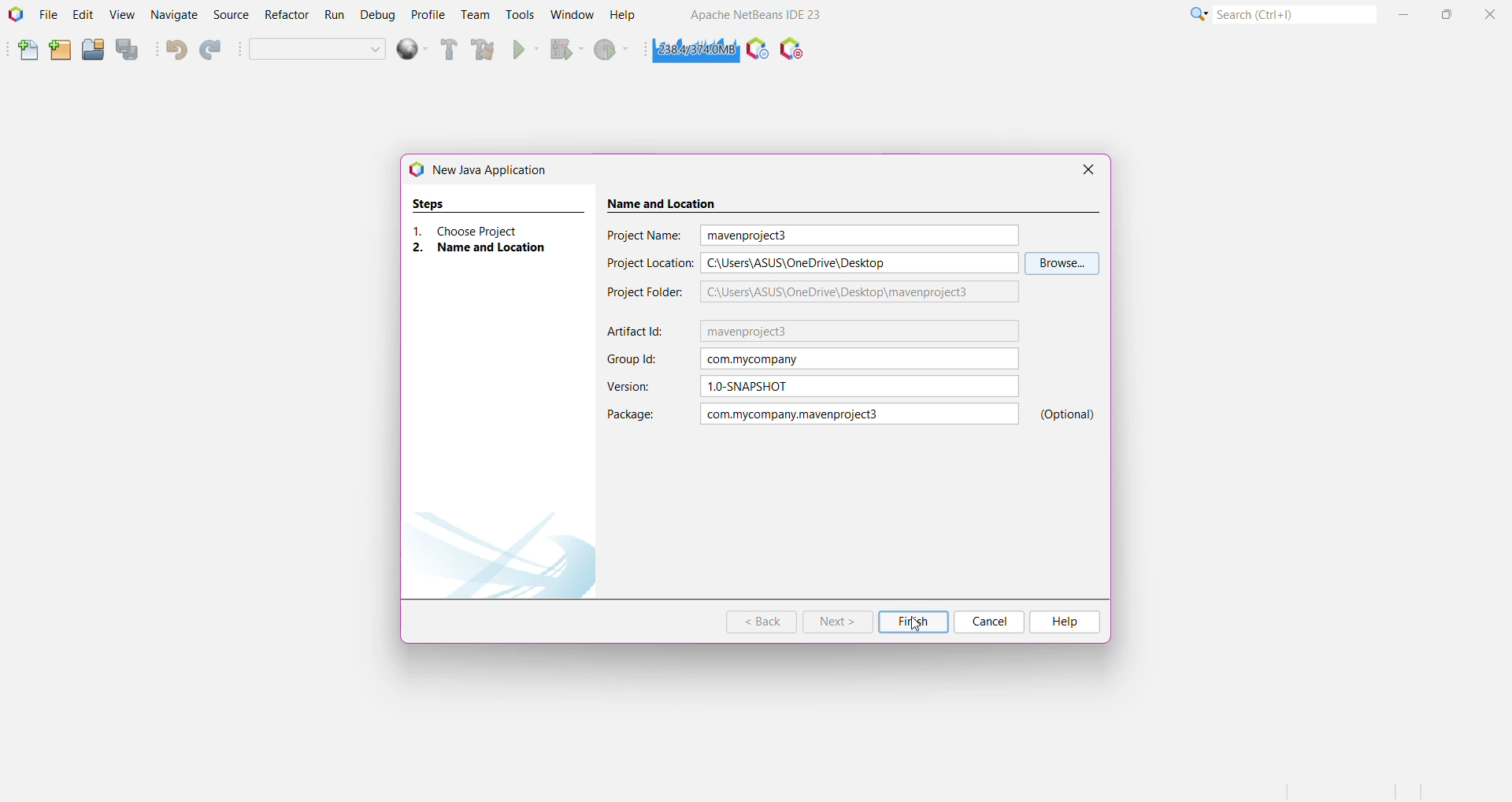 The height and width of the screenshot is (802, 1512). What do you see at coordinates (613, 50) in the screenshot?
I see `Profile Project` at bounding box center [613, 50].